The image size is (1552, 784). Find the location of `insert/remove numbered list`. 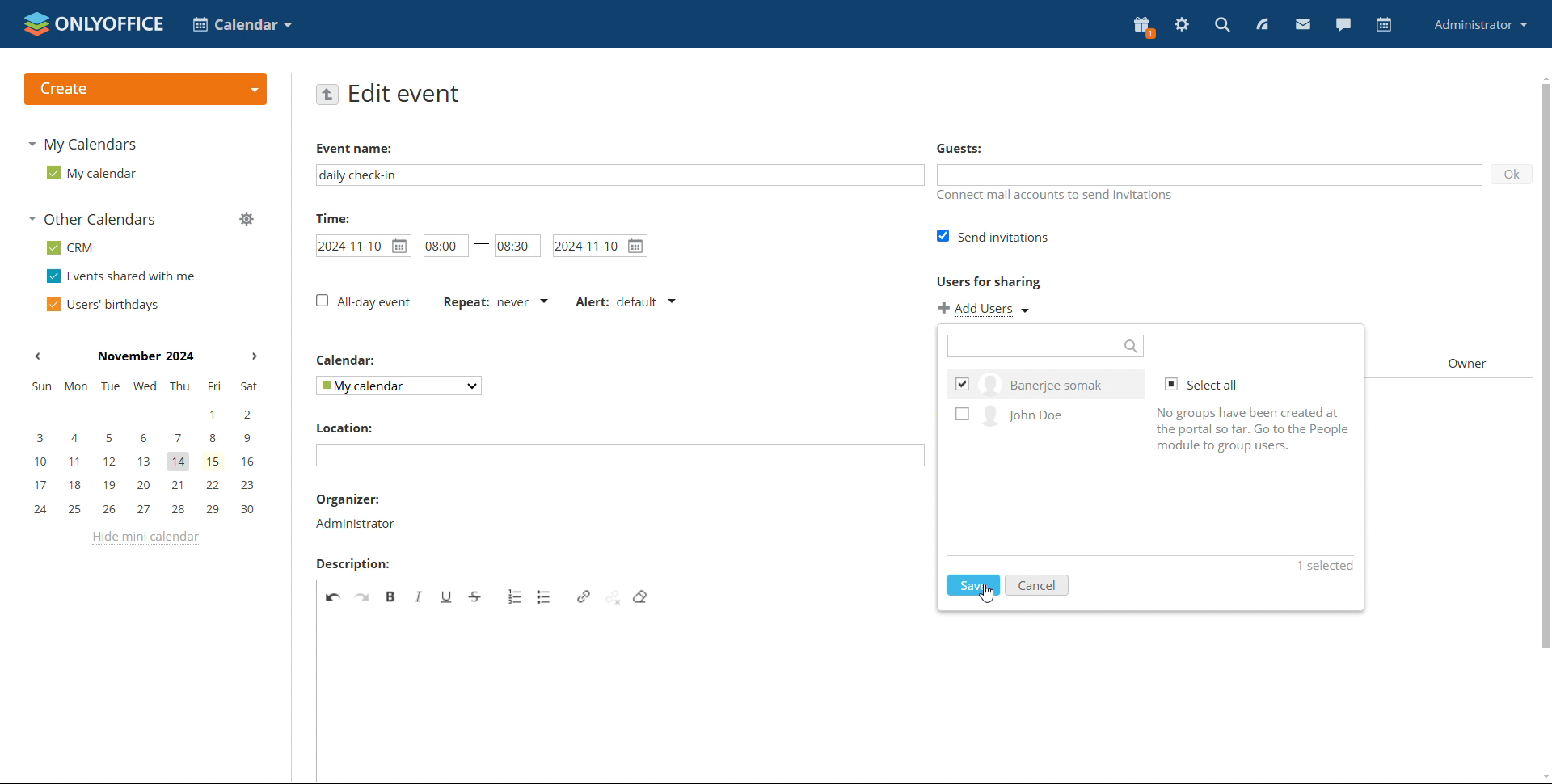

insert/remove numbered list is located at coordinates (514, 596).